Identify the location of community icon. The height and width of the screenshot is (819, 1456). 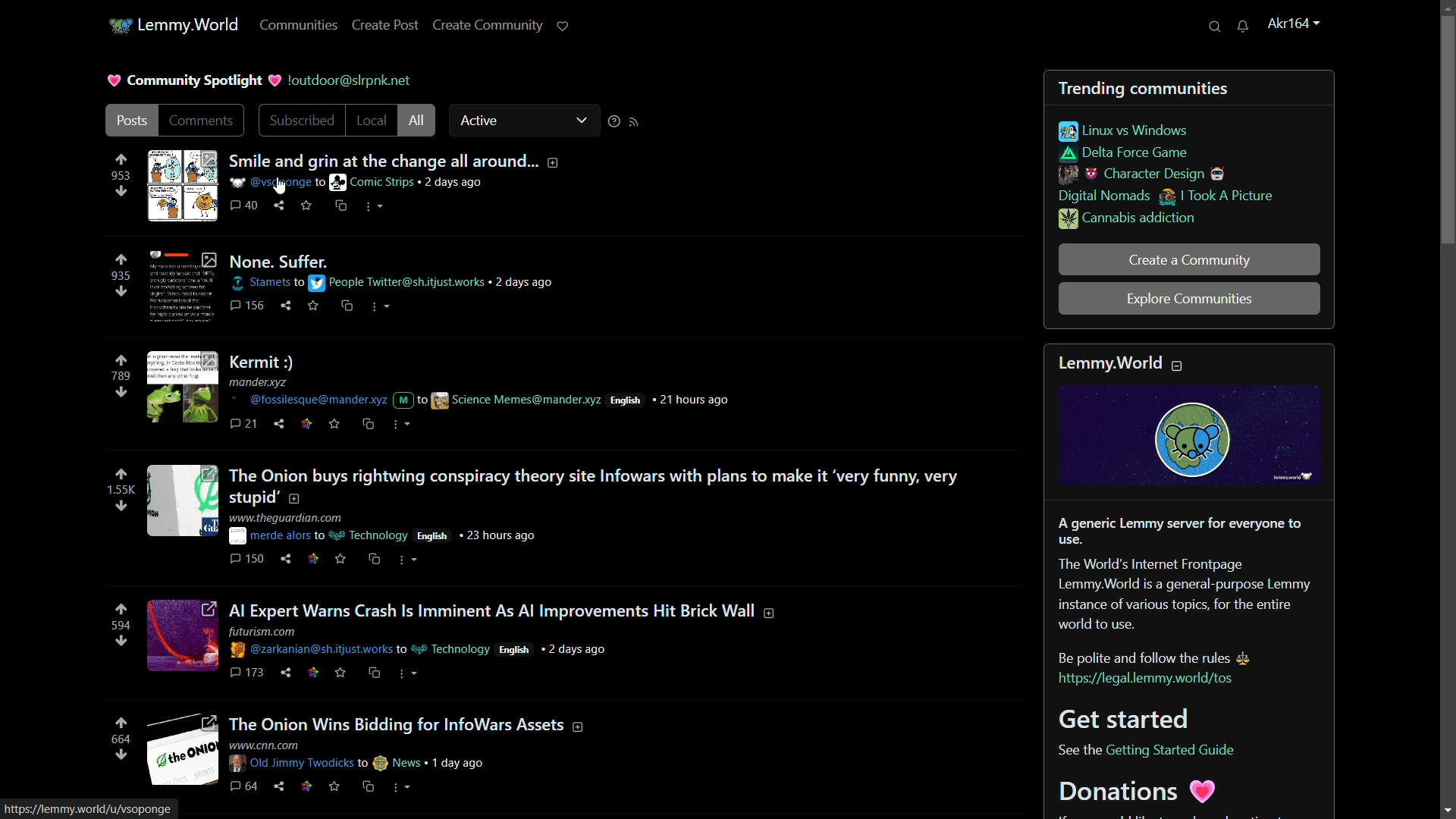
(118, 24).